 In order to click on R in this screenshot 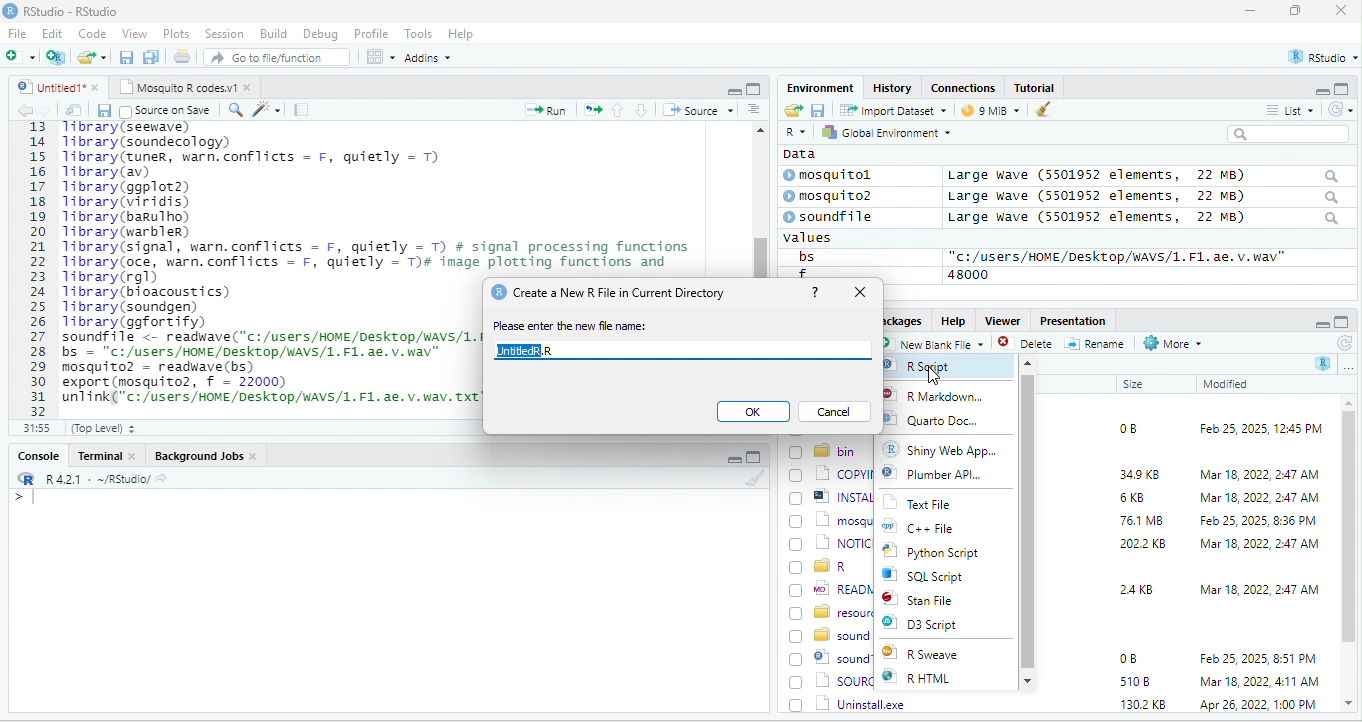, I will do `click(1324, 363)`.